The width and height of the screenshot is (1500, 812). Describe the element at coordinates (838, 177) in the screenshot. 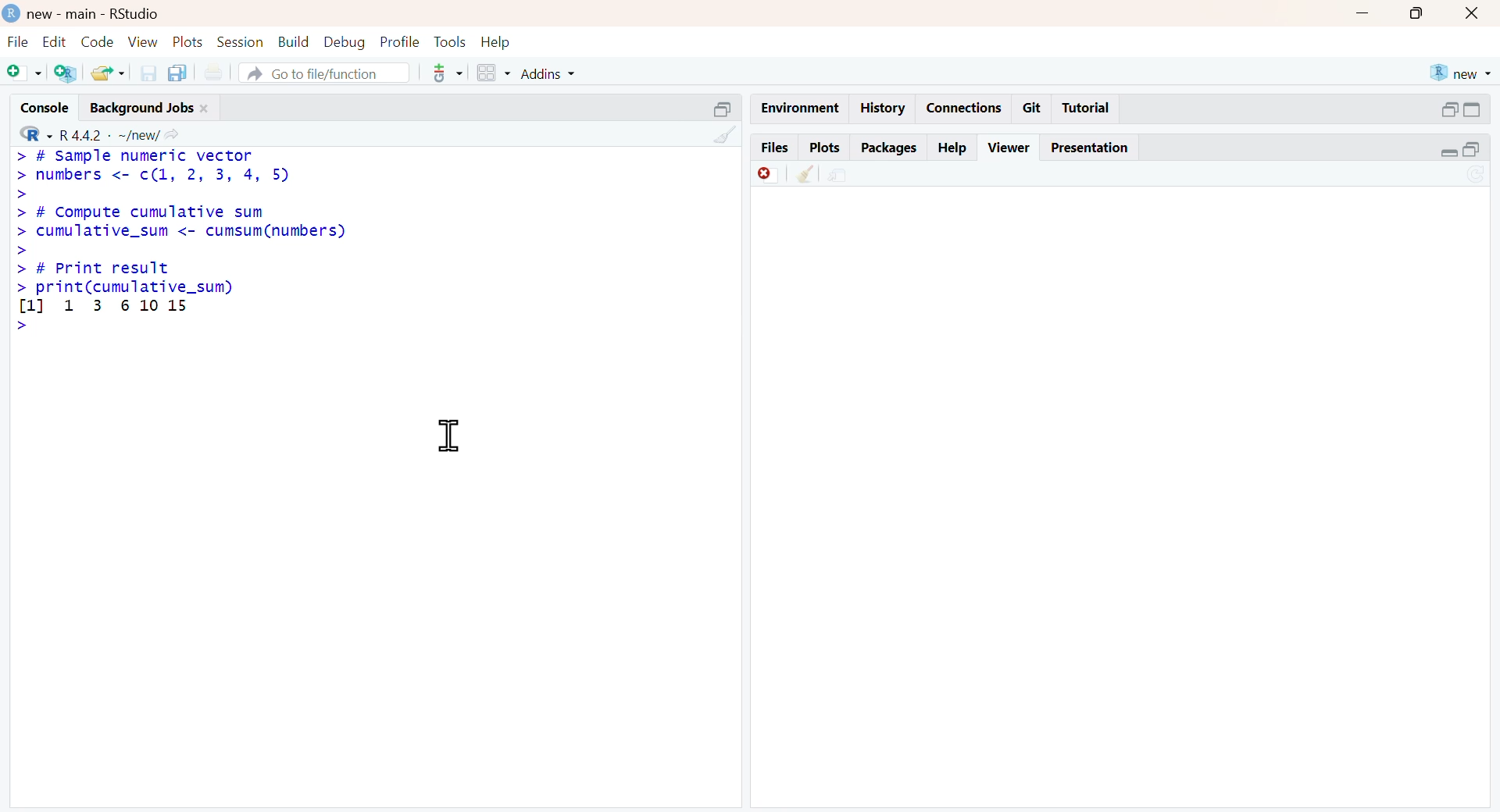

I see `environment` at that location.